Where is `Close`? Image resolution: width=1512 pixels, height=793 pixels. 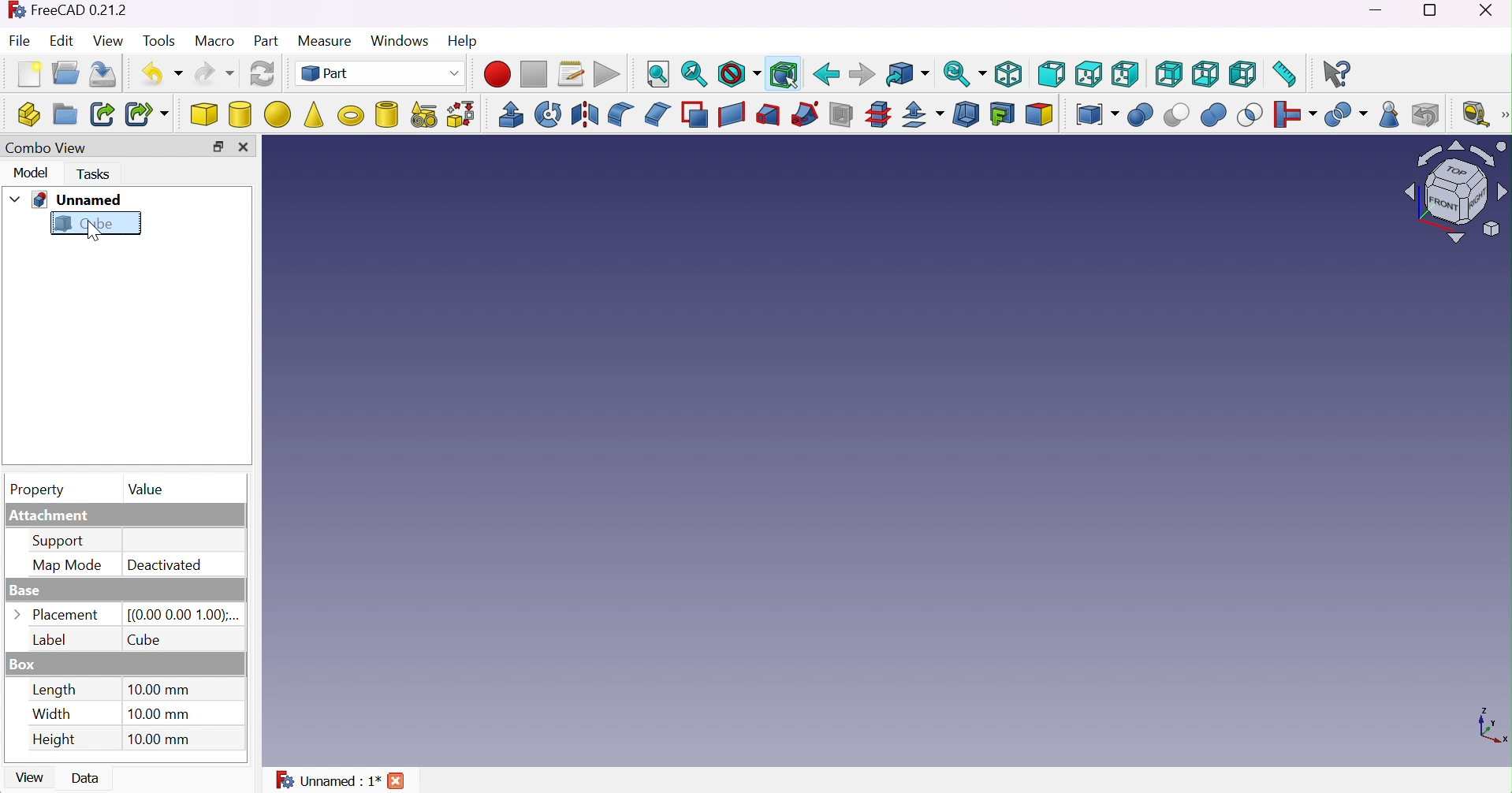 Close is located at coordinates (1486, 10).